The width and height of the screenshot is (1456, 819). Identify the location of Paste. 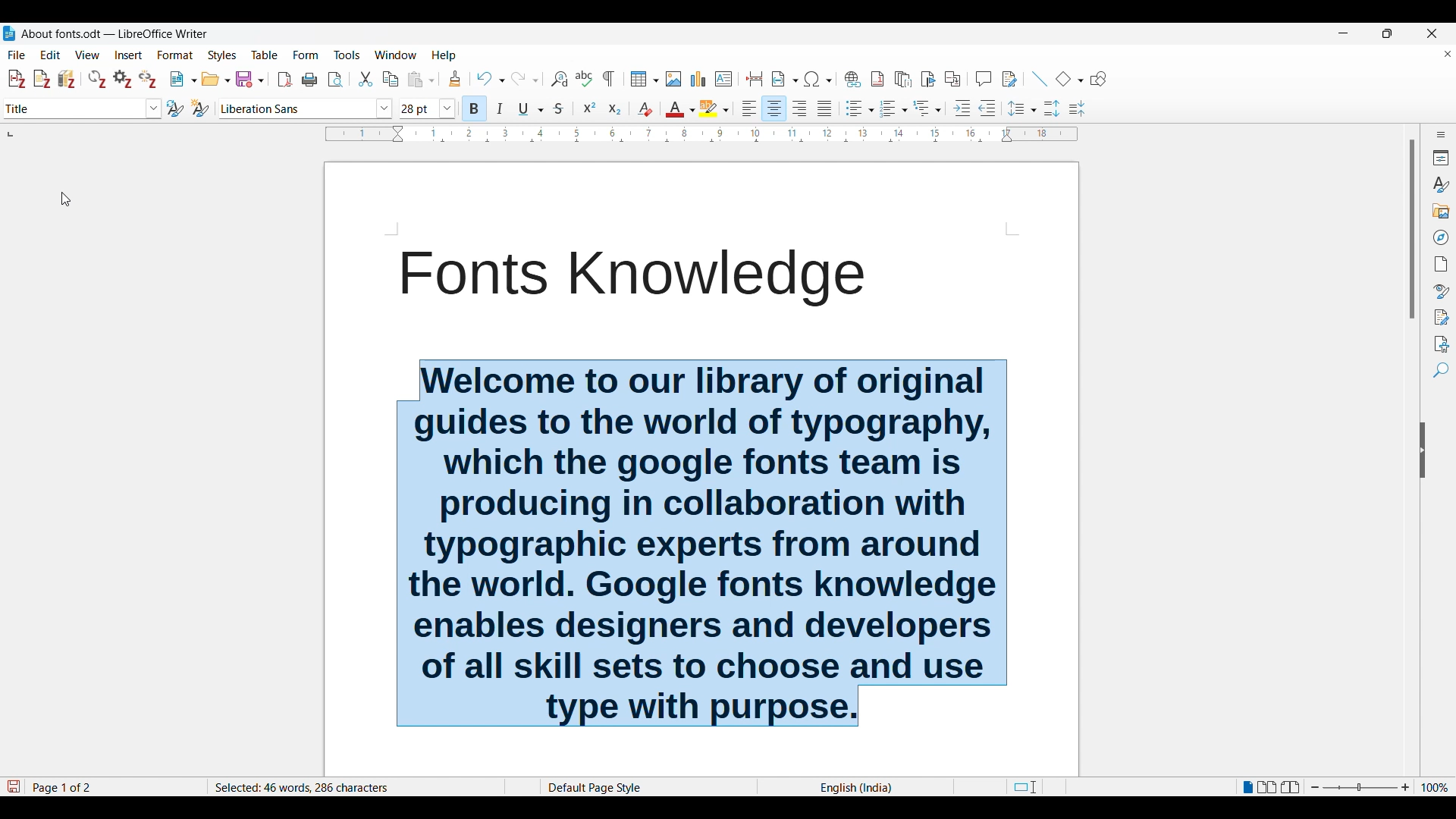
(421, 80).